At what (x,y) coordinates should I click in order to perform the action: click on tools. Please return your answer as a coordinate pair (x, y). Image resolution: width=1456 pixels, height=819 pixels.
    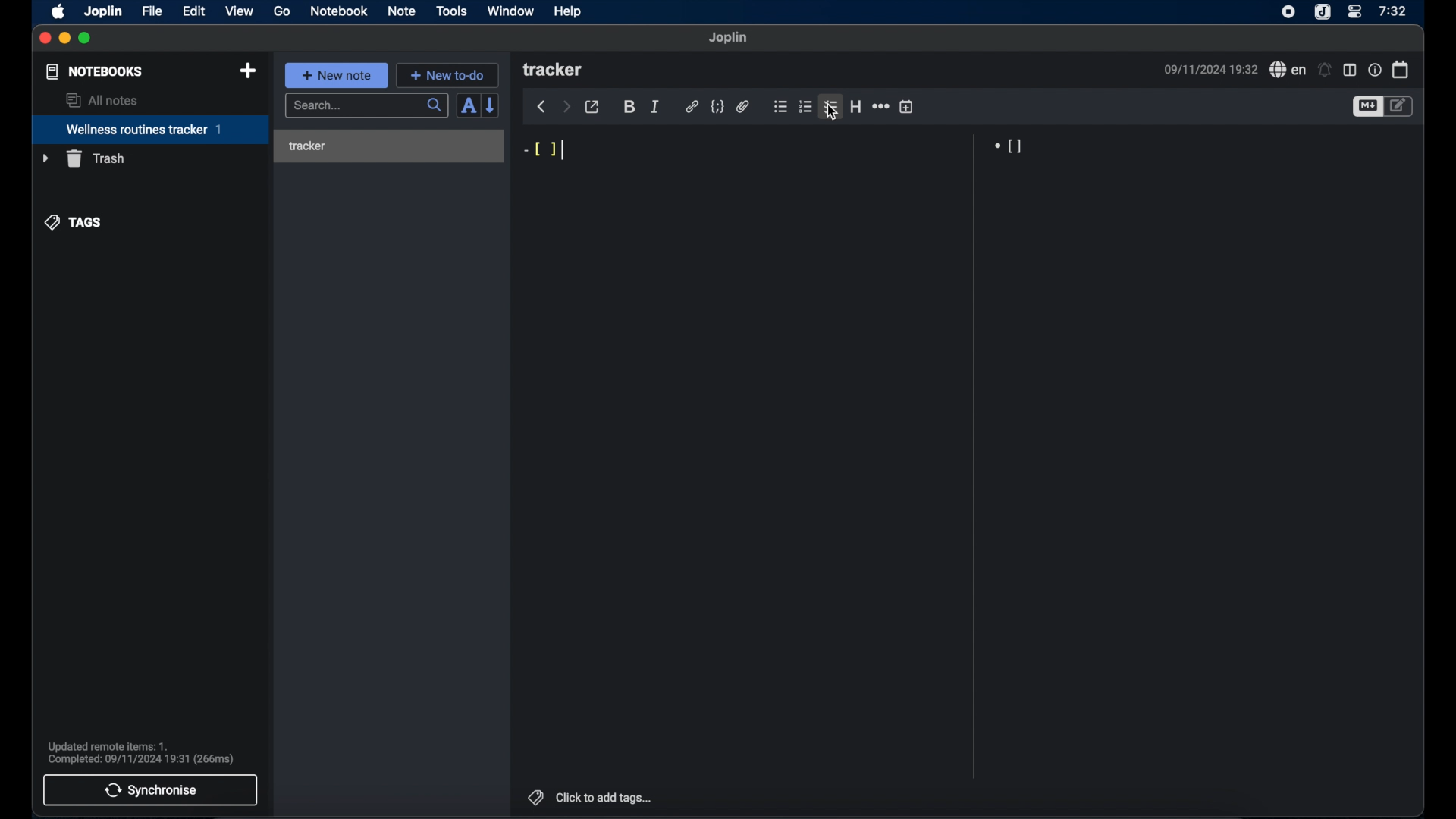
    Looking at the image, I should click on (452, 11).